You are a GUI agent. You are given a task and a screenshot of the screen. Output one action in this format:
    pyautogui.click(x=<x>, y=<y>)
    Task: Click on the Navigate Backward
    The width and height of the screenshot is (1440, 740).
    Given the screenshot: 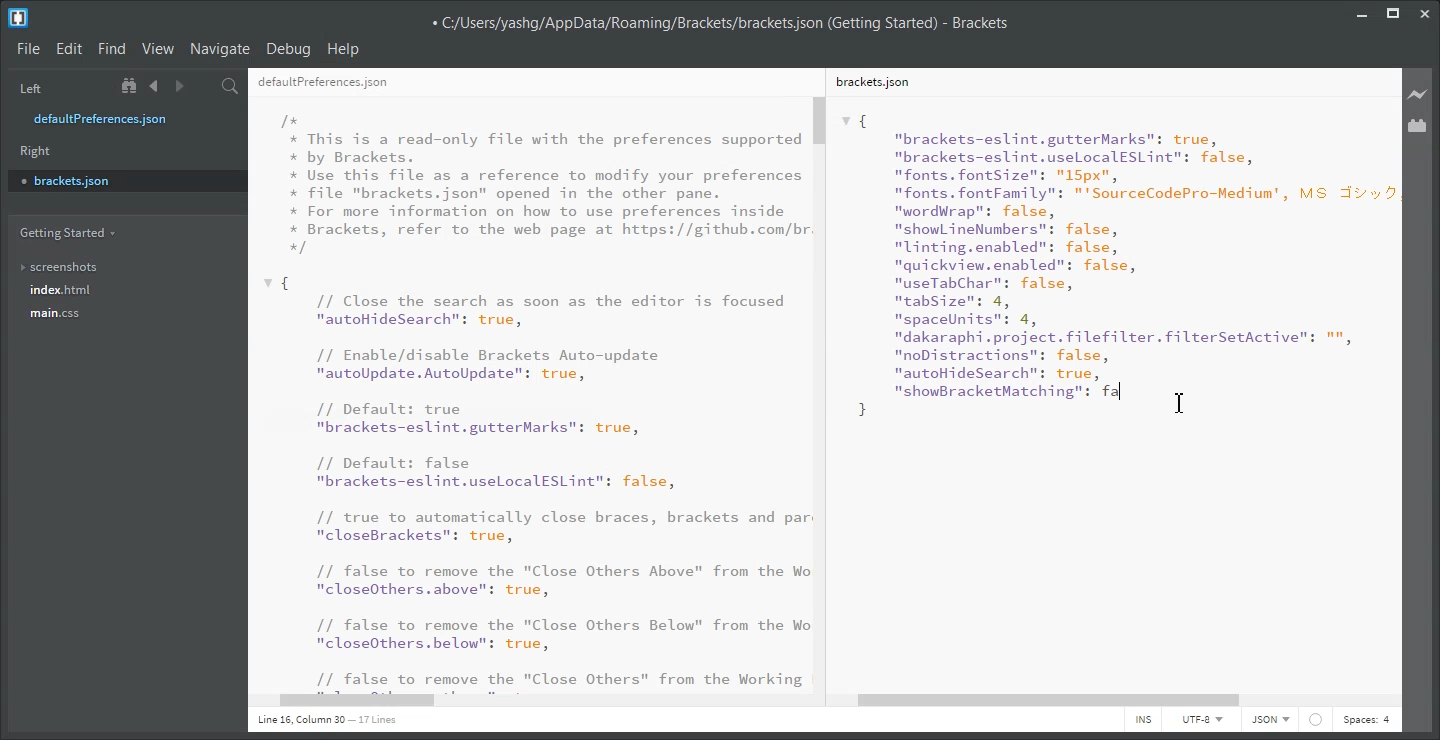 What is the action you would take?
    pyautogui.click(x=154, y=86)
    